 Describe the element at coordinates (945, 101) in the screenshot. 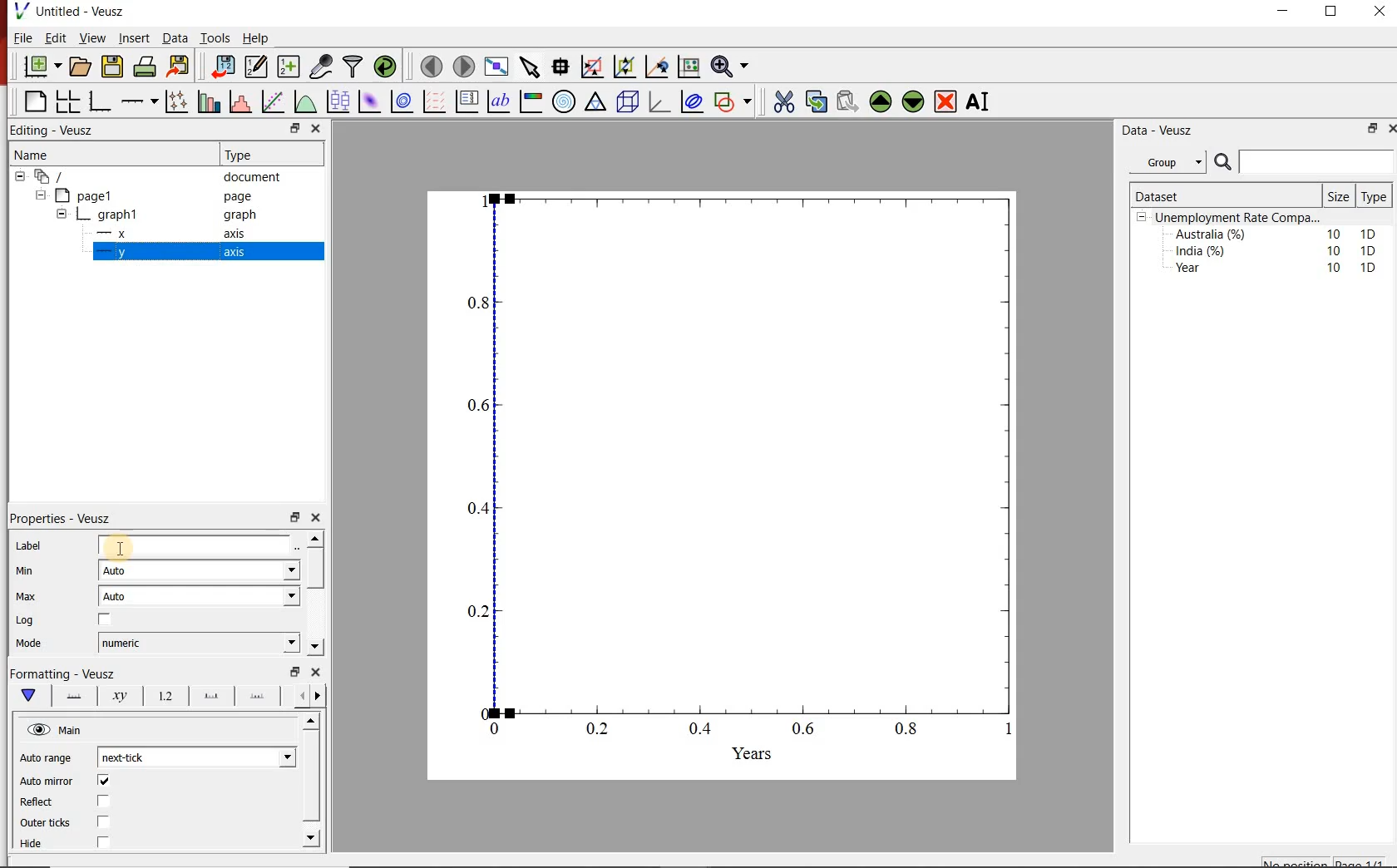

I see `remove the widgets` at that location.